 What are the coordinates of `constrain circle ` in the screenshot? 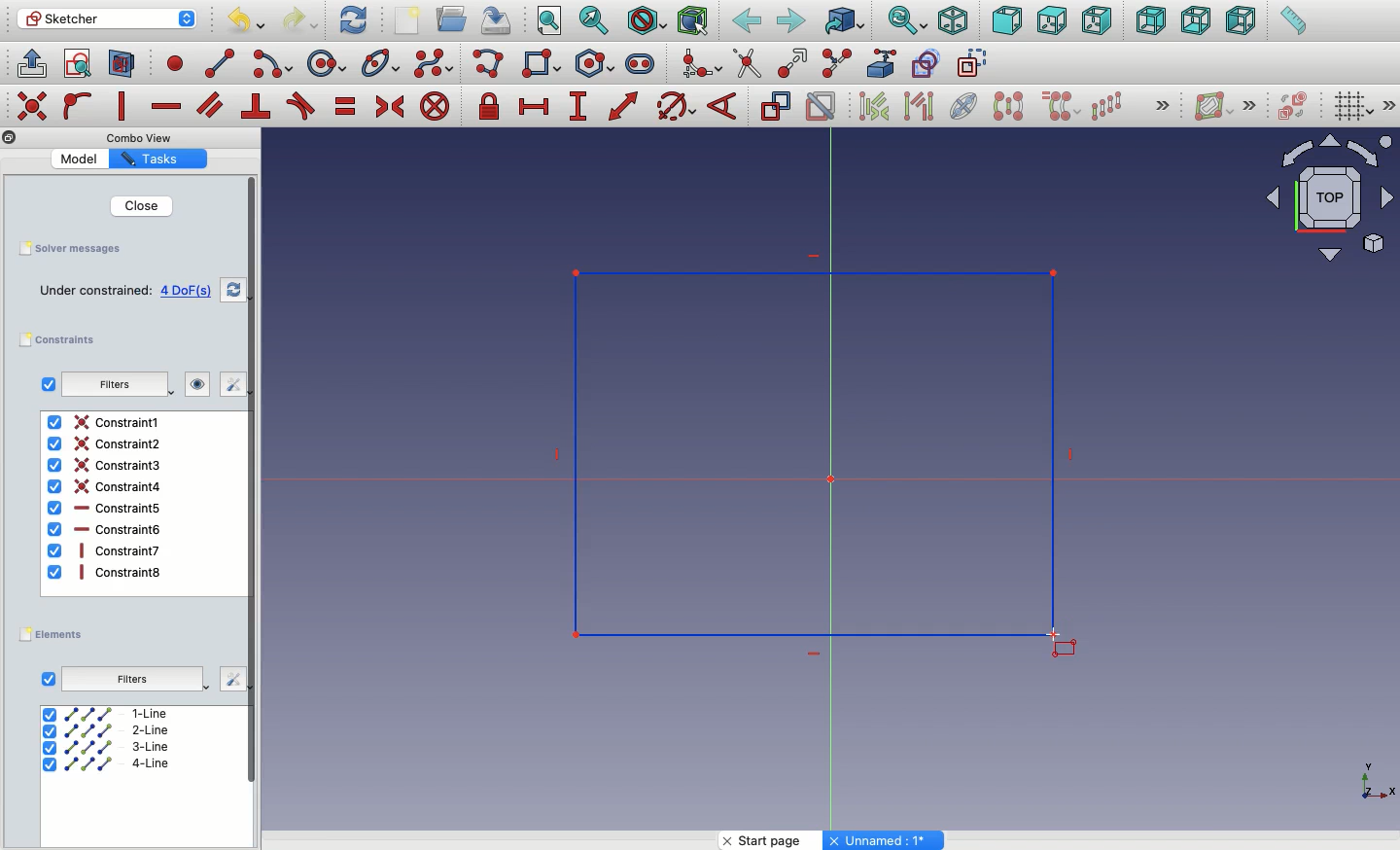 It's located at (677, 105).